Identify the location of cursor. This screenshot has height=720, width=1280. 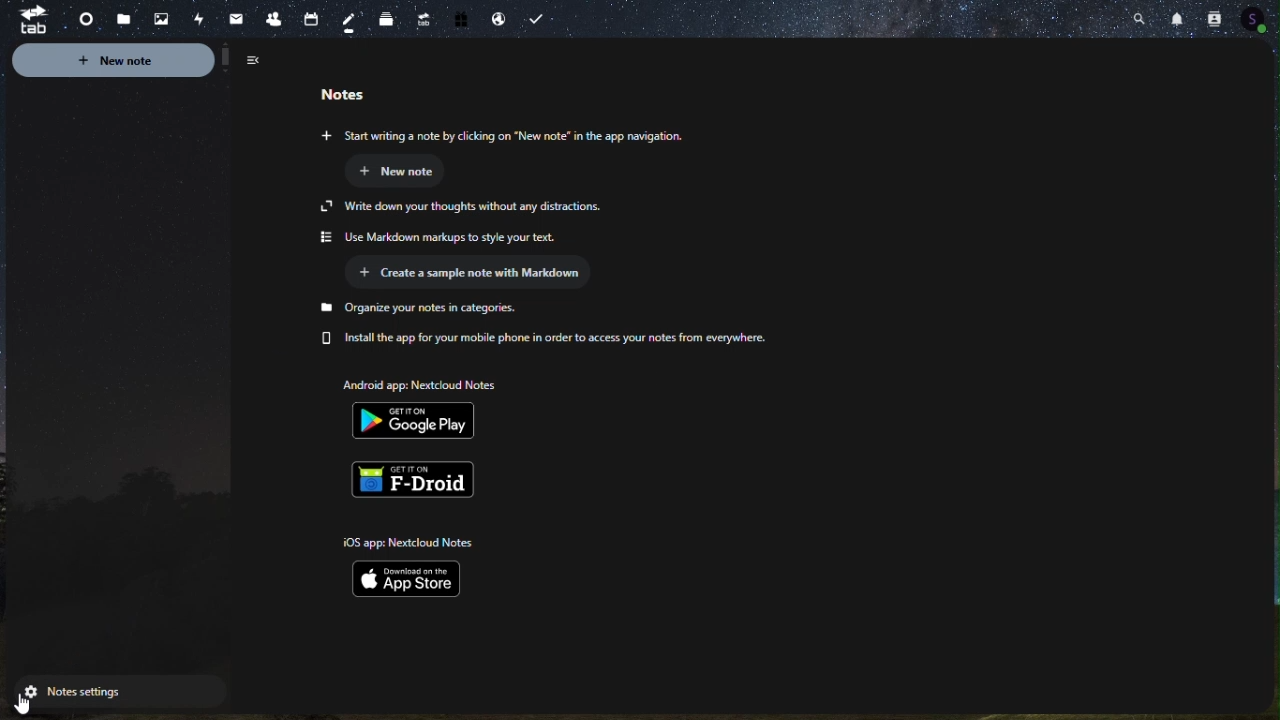
(19, 706).